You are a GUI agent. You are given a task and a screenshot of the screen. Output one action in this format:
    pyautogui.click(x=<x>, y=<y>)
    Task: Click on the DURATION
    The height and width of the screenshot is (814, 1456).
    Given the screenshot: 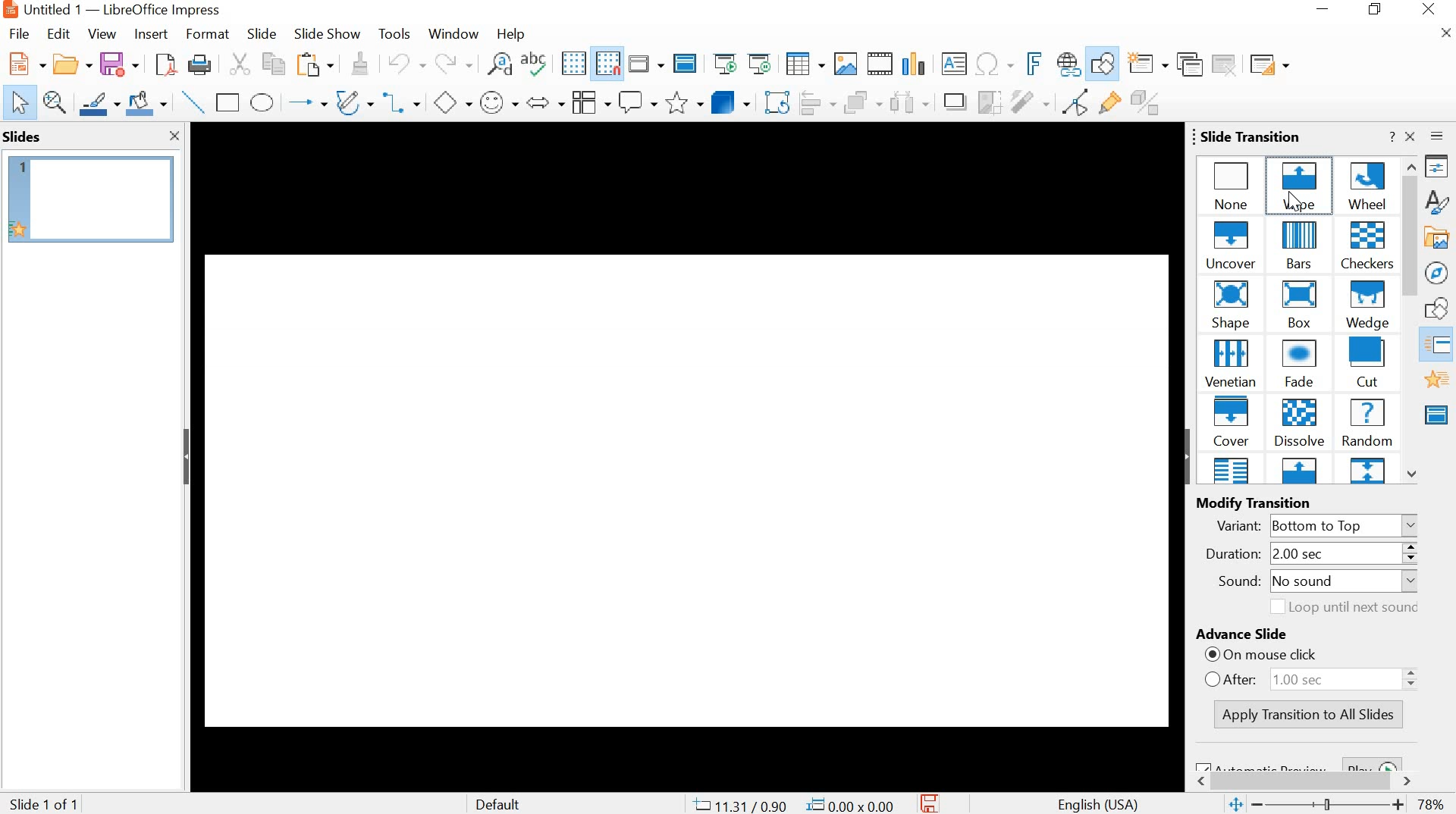 What is the action you would take?
    pyautogui.click(x=1301, y=555)
    